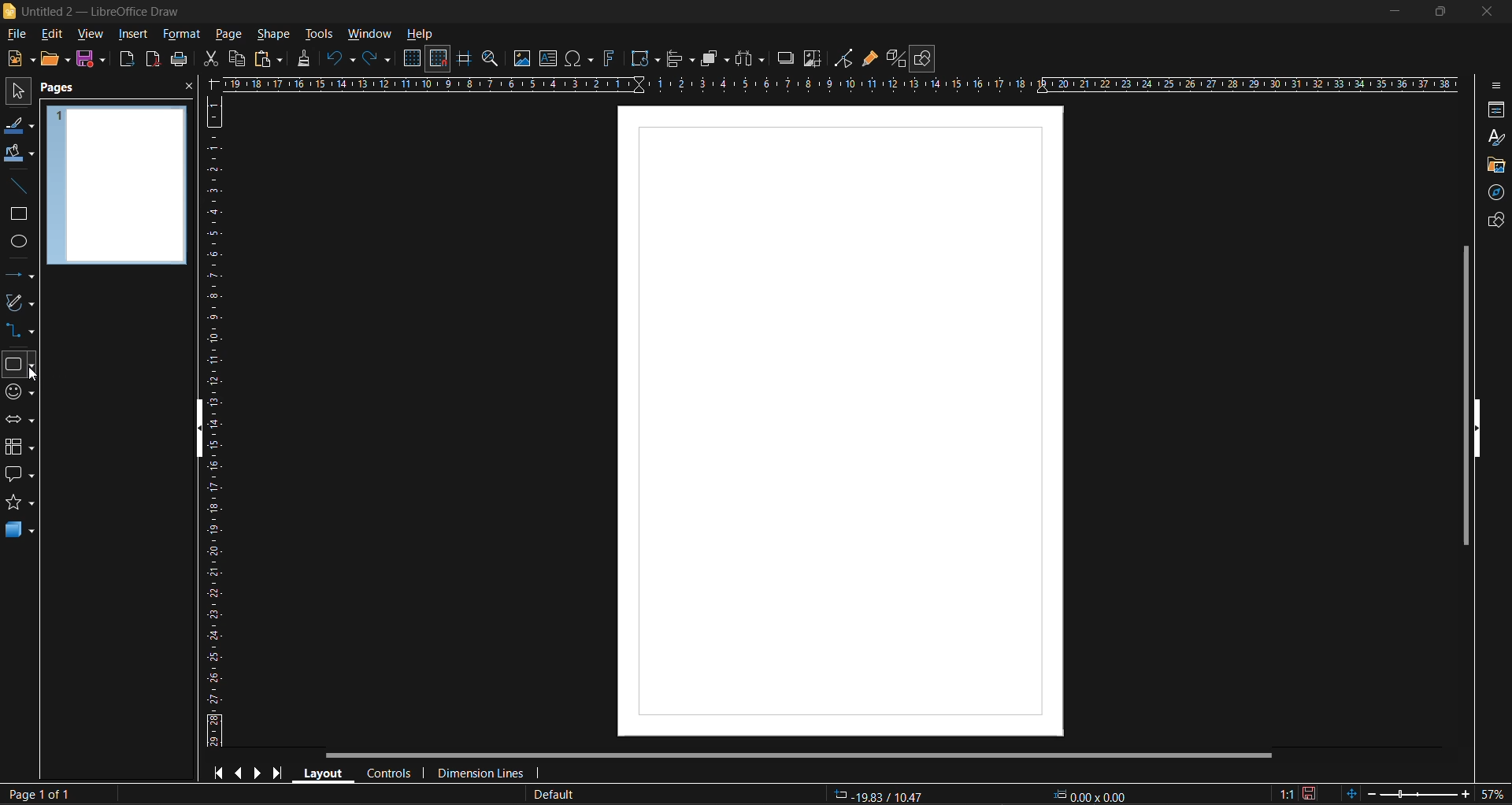 The image size is (1512, 805). I want to click on horizontal scroll bar, so click(797, 757).